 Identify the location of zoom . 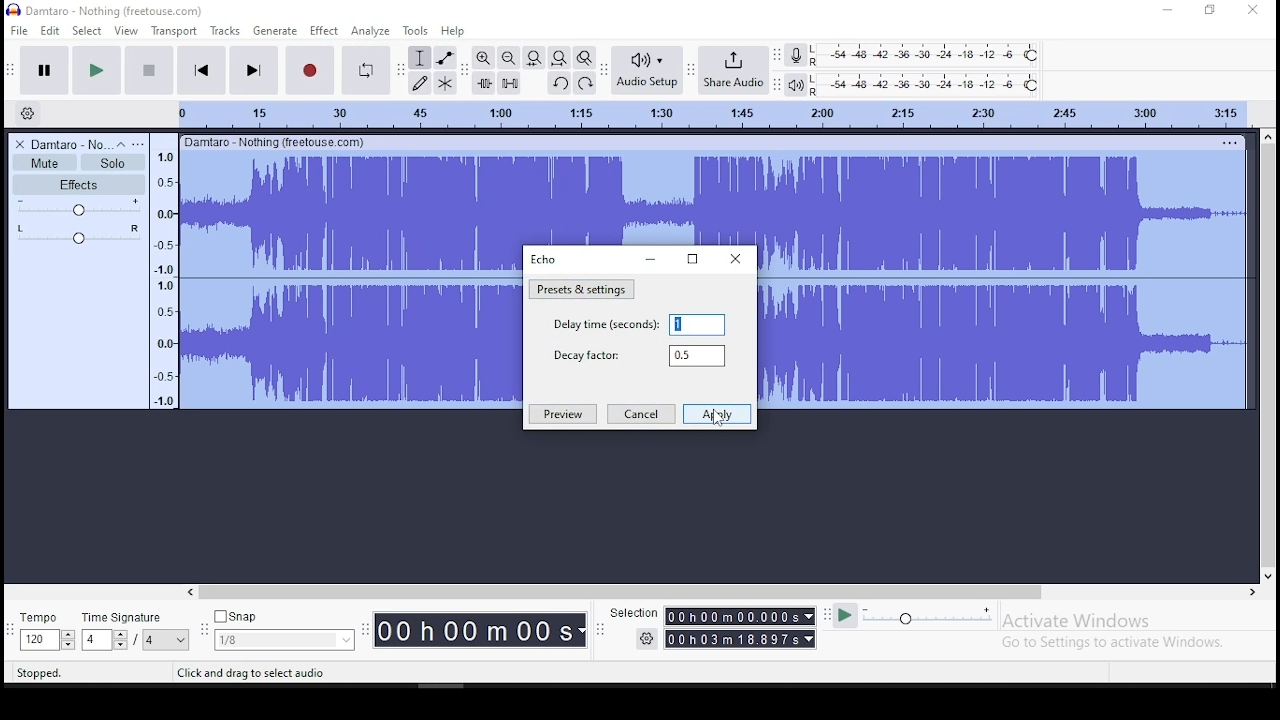
(509, 57).